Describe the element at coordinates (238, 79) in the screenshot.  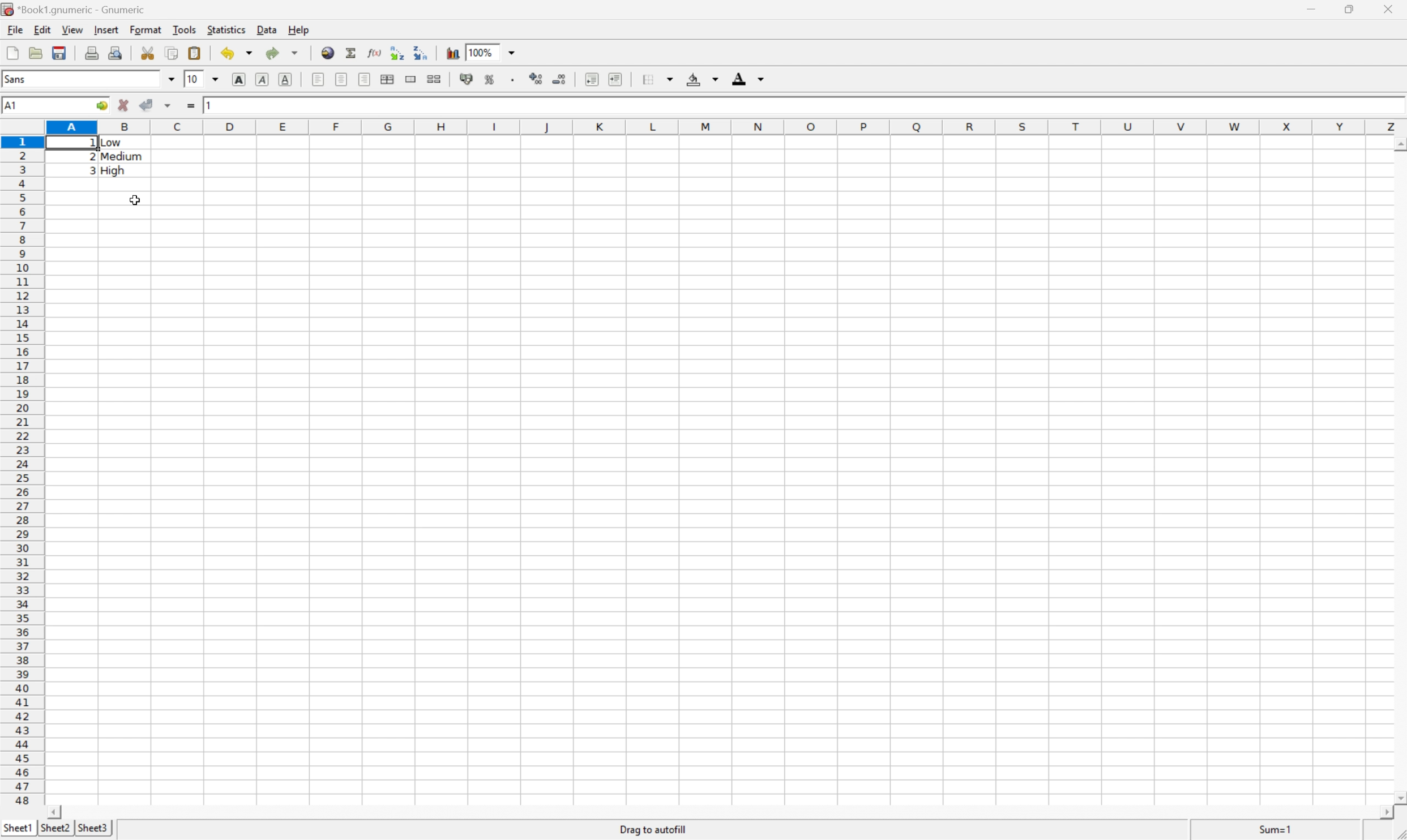
I see `Bold` at that location.